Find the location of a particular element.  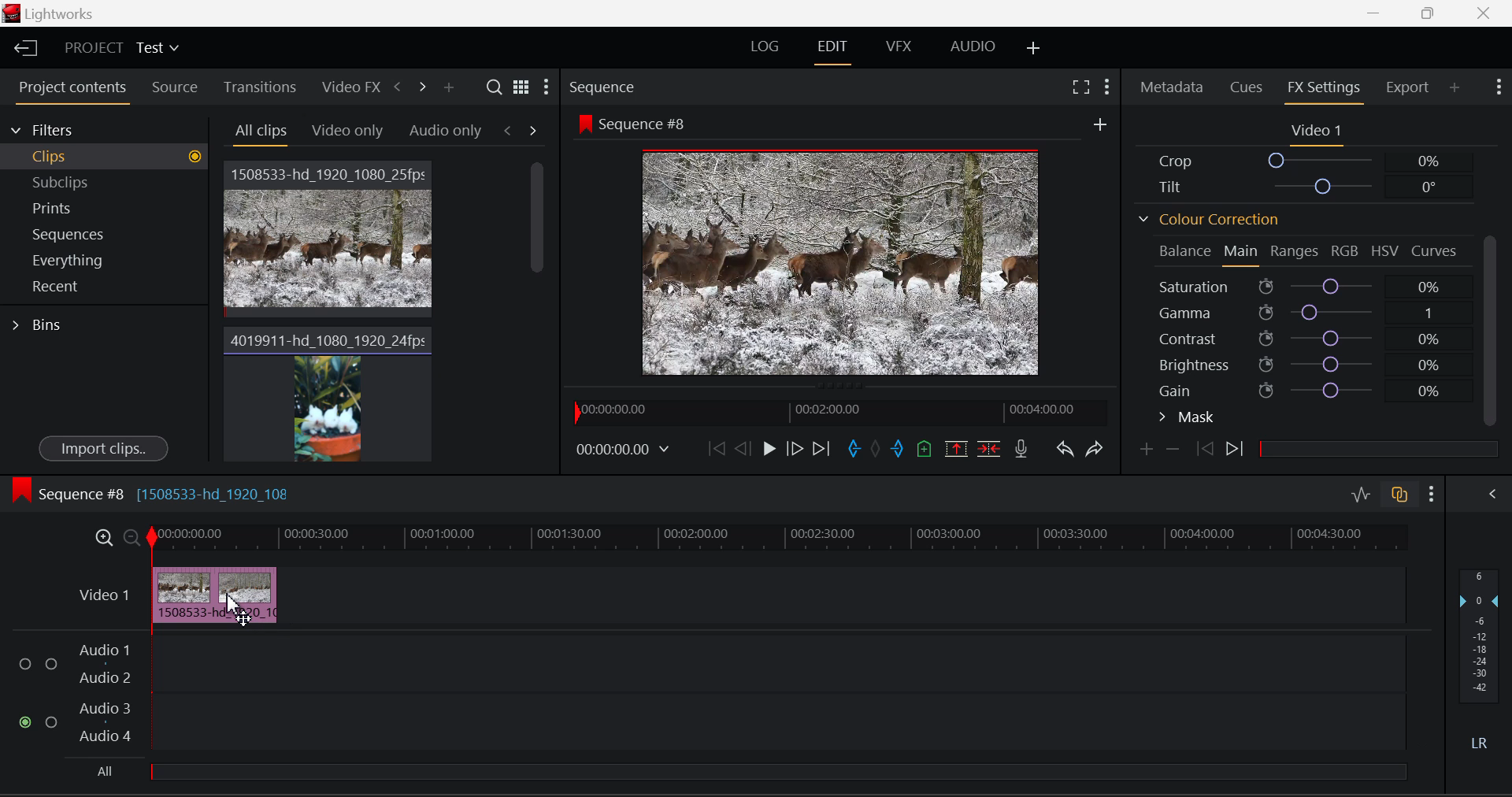

Prints is located at coordinates (113, 210).